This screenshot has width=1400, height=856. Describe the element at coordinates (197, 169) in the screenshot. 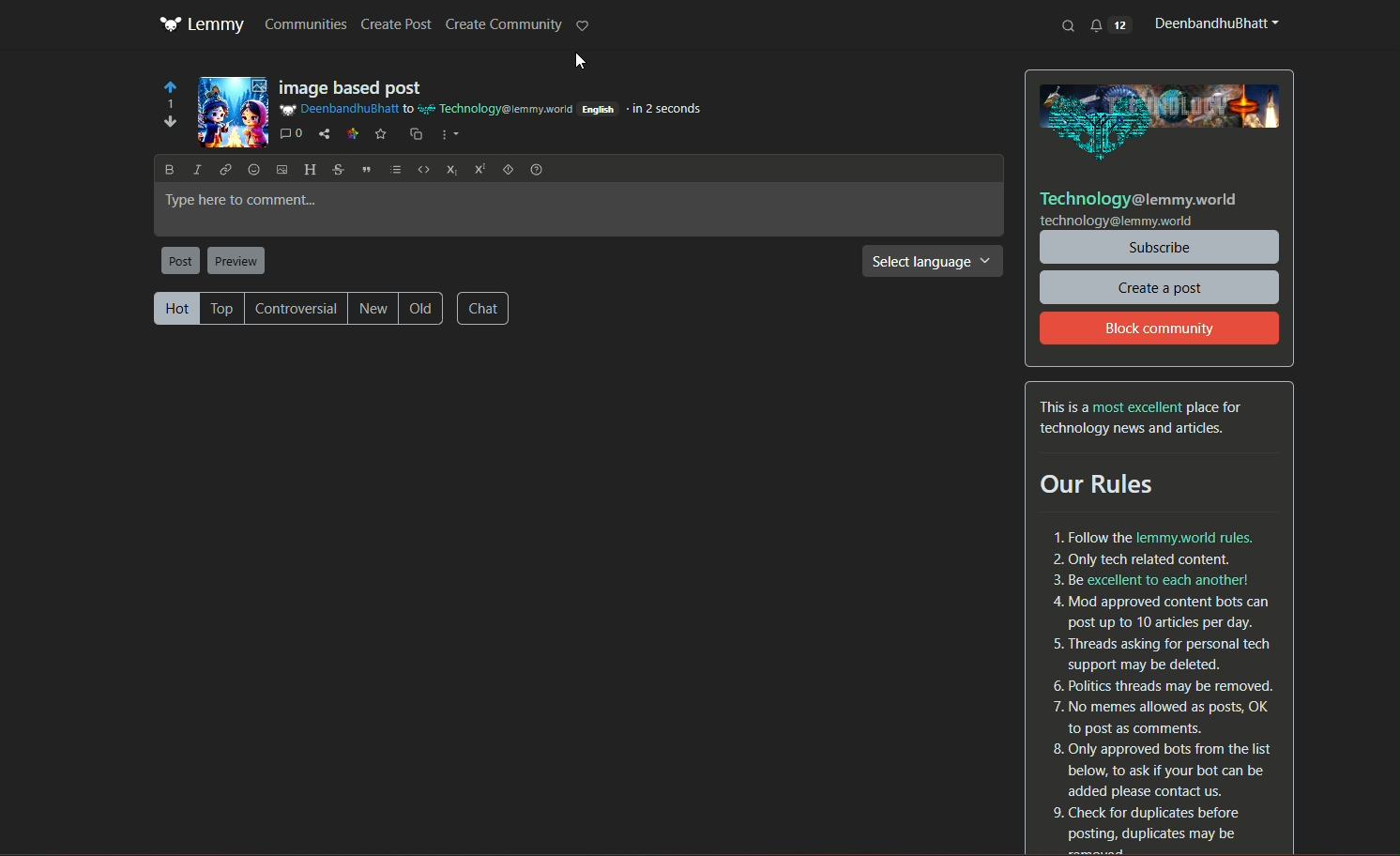

I see `italic` at that location.